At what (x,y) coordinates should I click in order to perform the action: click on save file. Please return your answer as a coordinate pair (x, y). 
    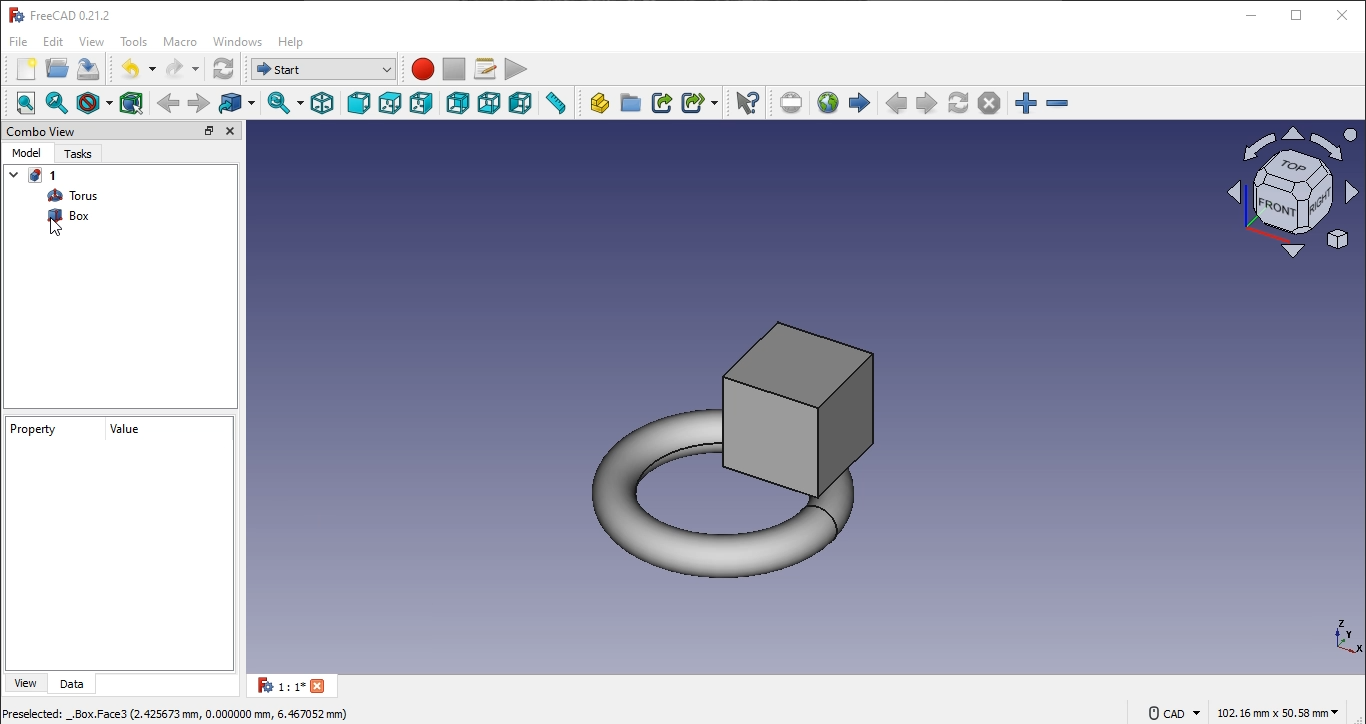
    Looking at the image, I should click on (89, 69).